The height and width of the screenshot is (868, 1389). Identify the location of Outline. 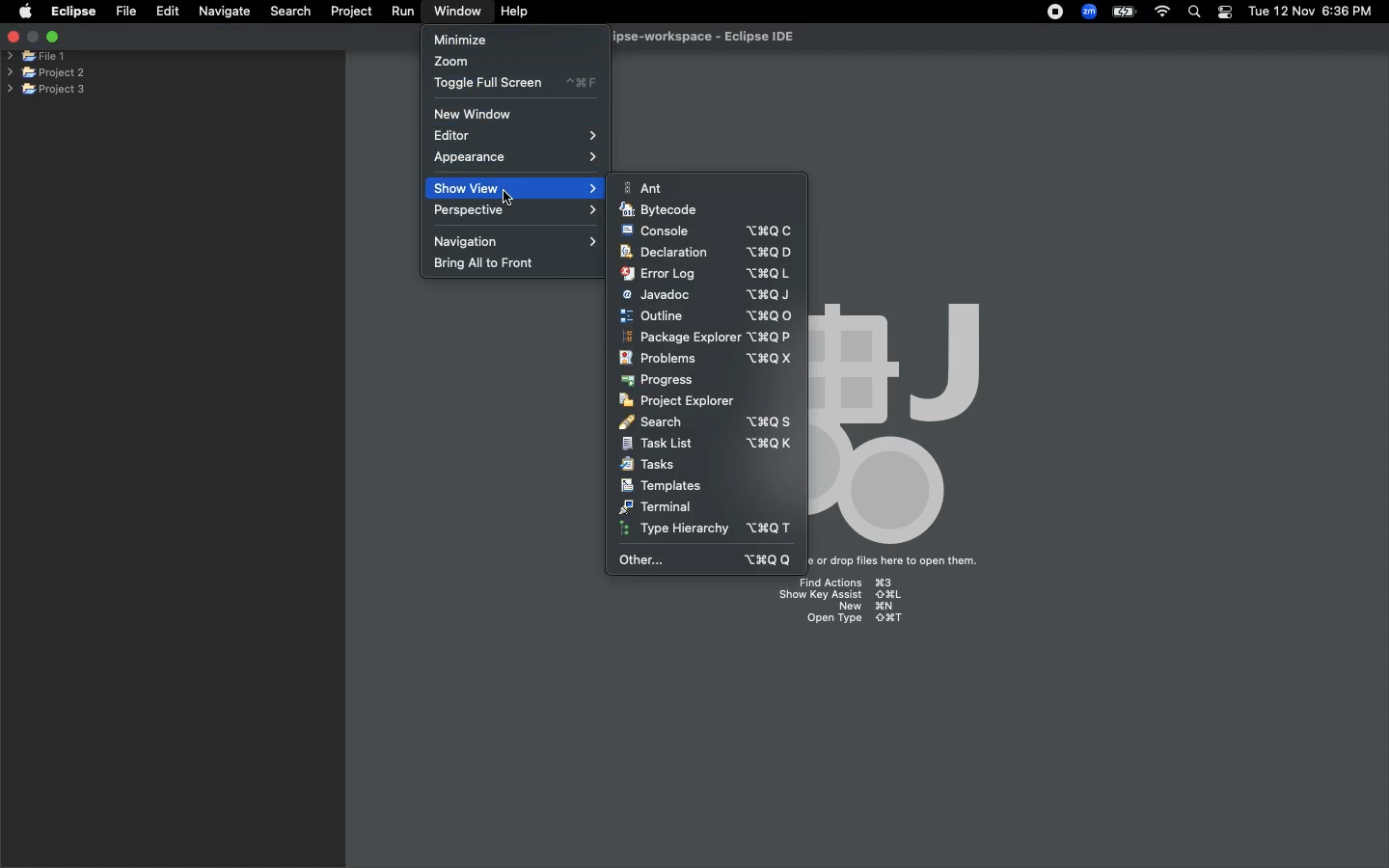
(706, 315).